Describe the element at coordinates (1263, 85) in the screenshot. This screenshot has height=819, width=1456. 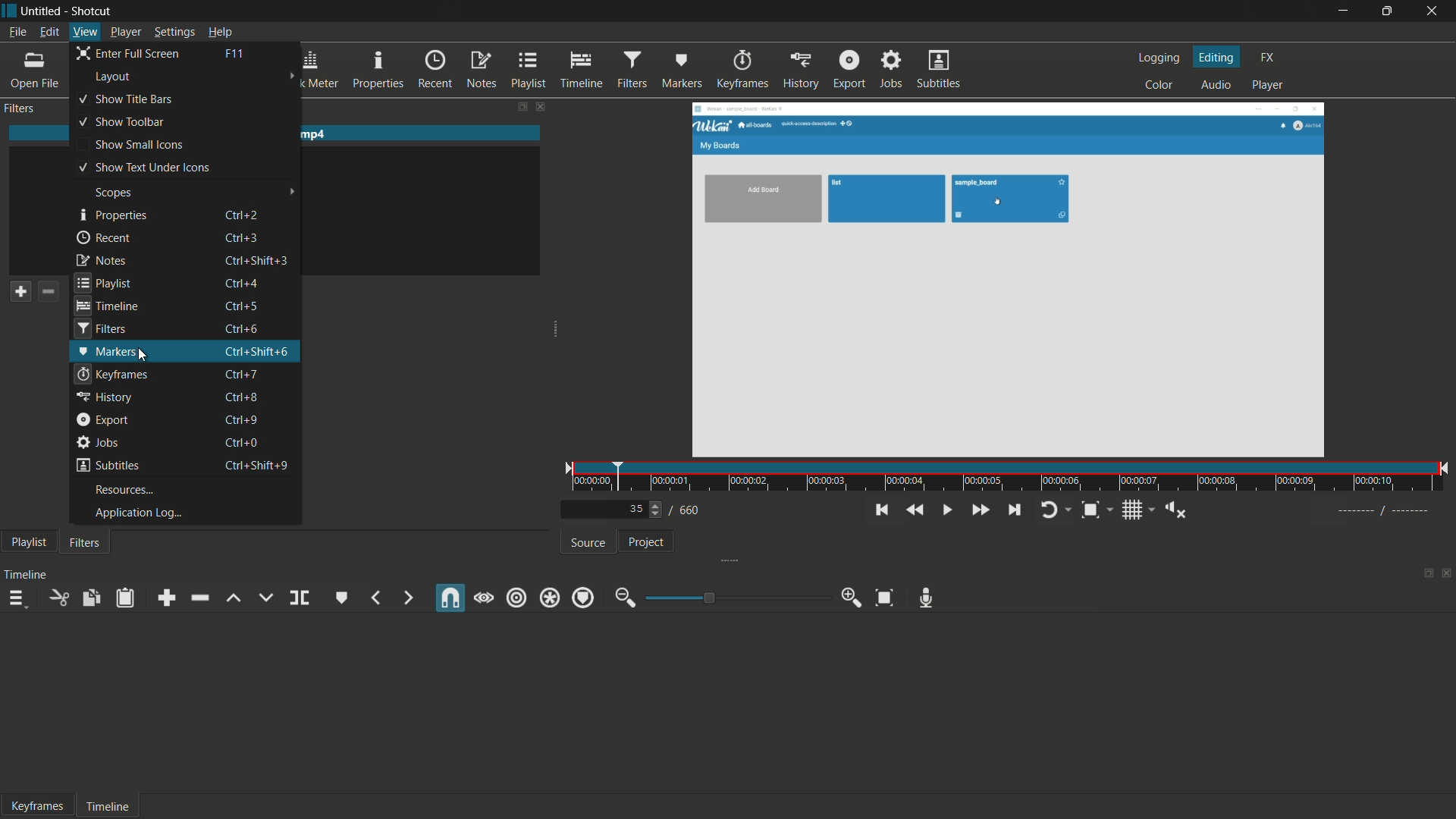
I see `player` at that location.